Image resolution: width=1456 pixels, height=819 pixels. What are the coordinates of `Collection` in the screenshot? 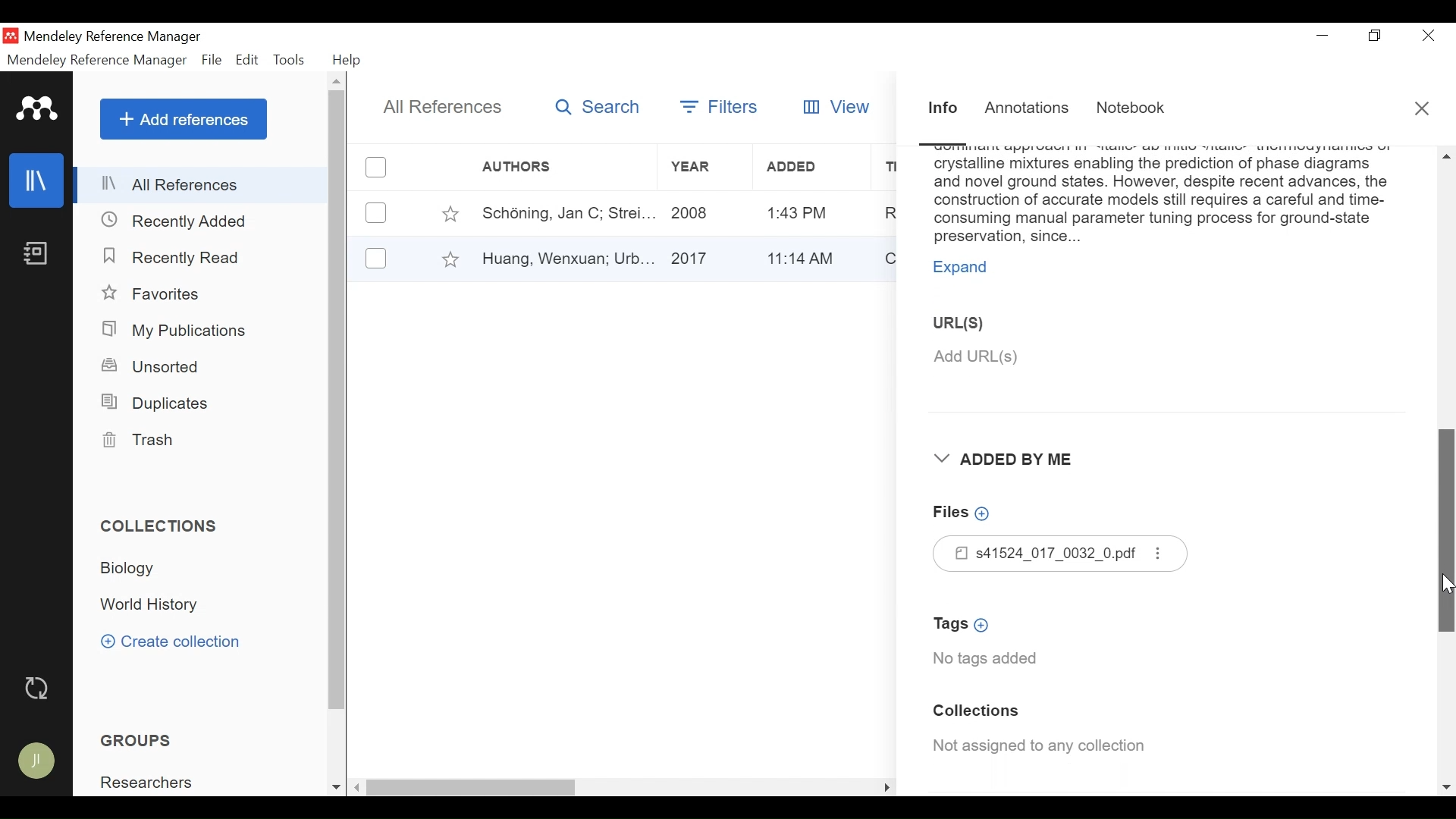 It's located at (979, 711).